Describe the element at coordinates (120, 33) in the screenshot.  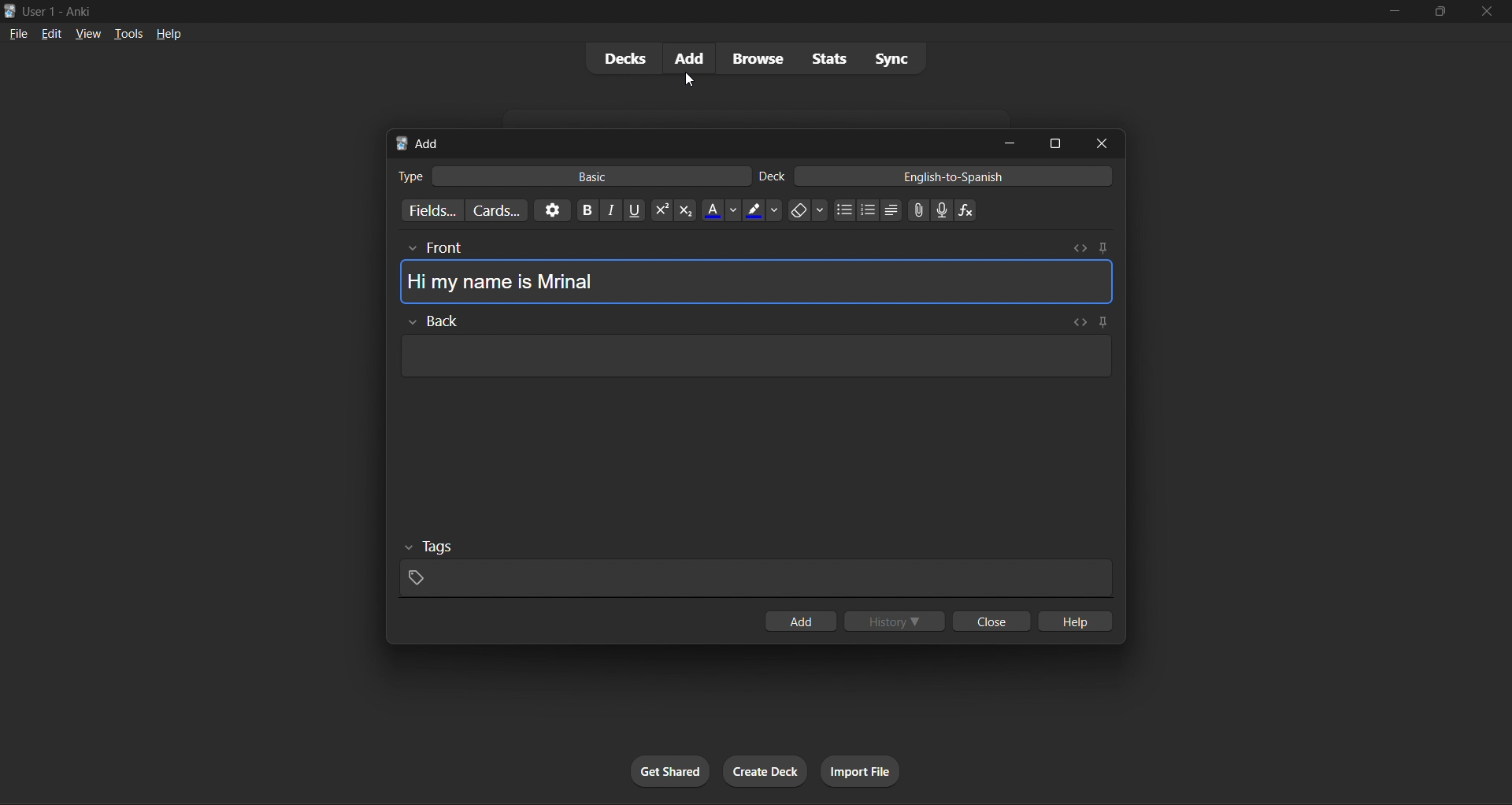
I see `tools` at that location.